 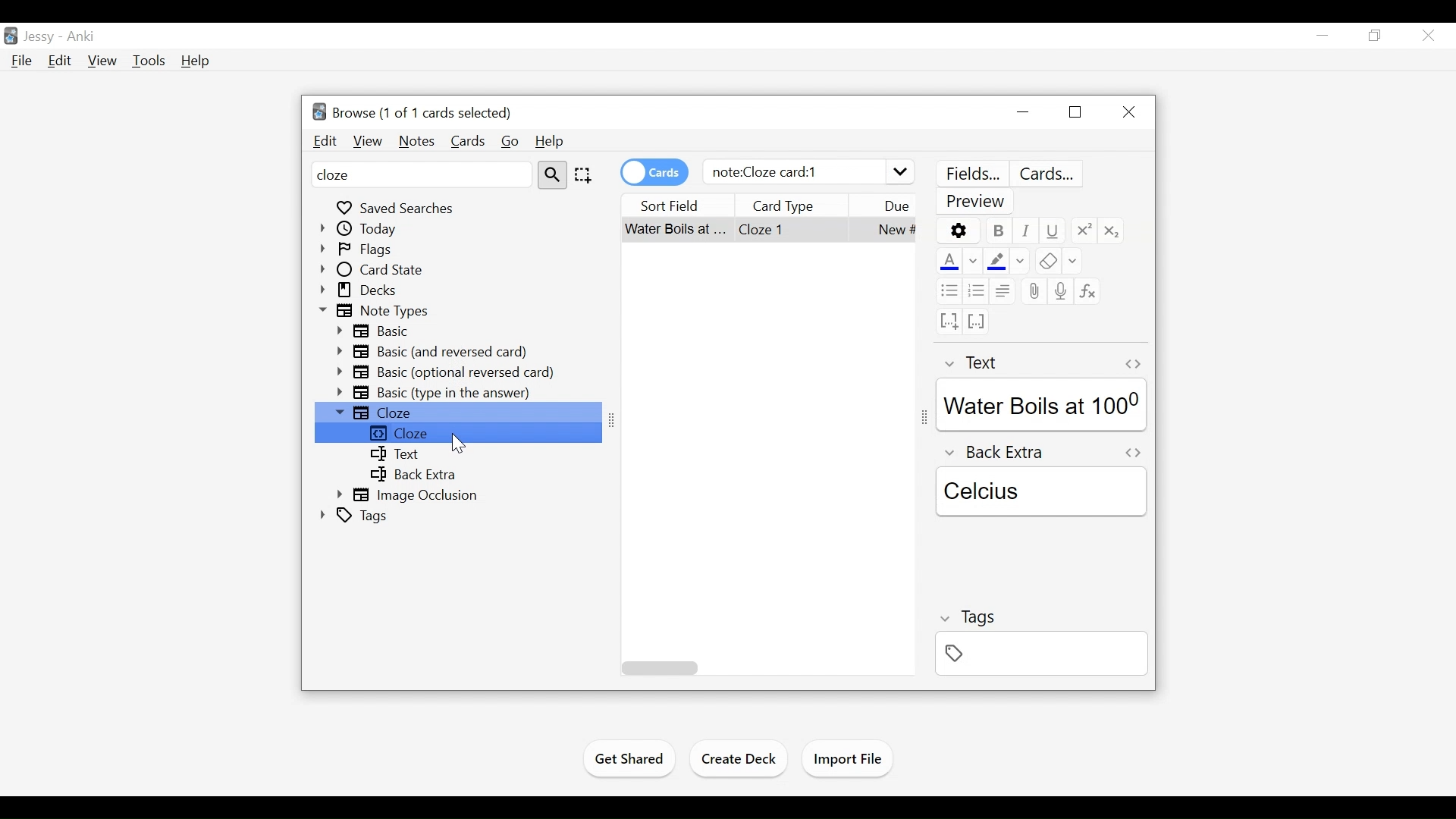 I want to click on Image Oclusion, so click(x=411, y=496).